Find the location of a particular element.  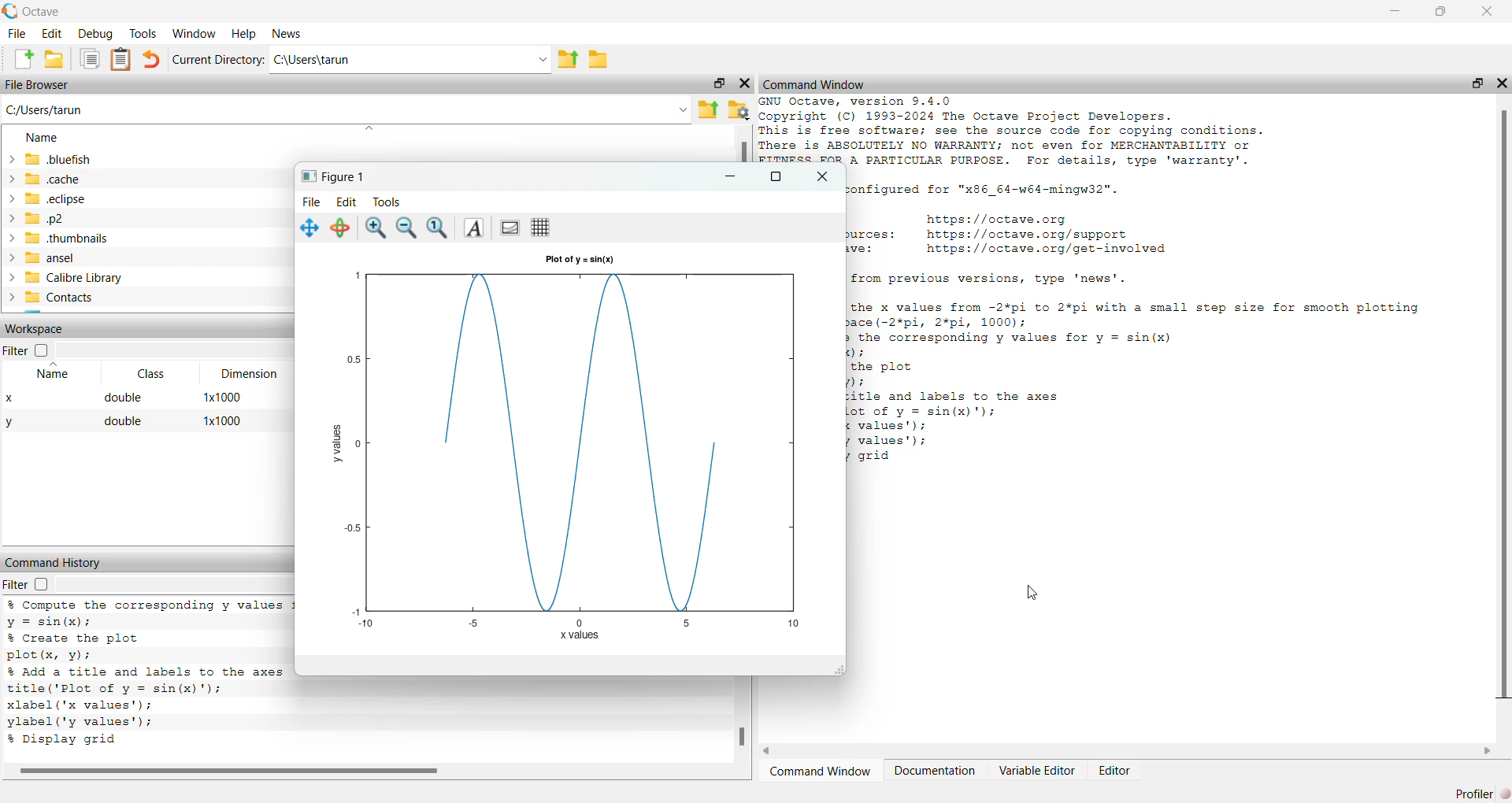

ylabel('y values'); is located at coordinates (83, 723).